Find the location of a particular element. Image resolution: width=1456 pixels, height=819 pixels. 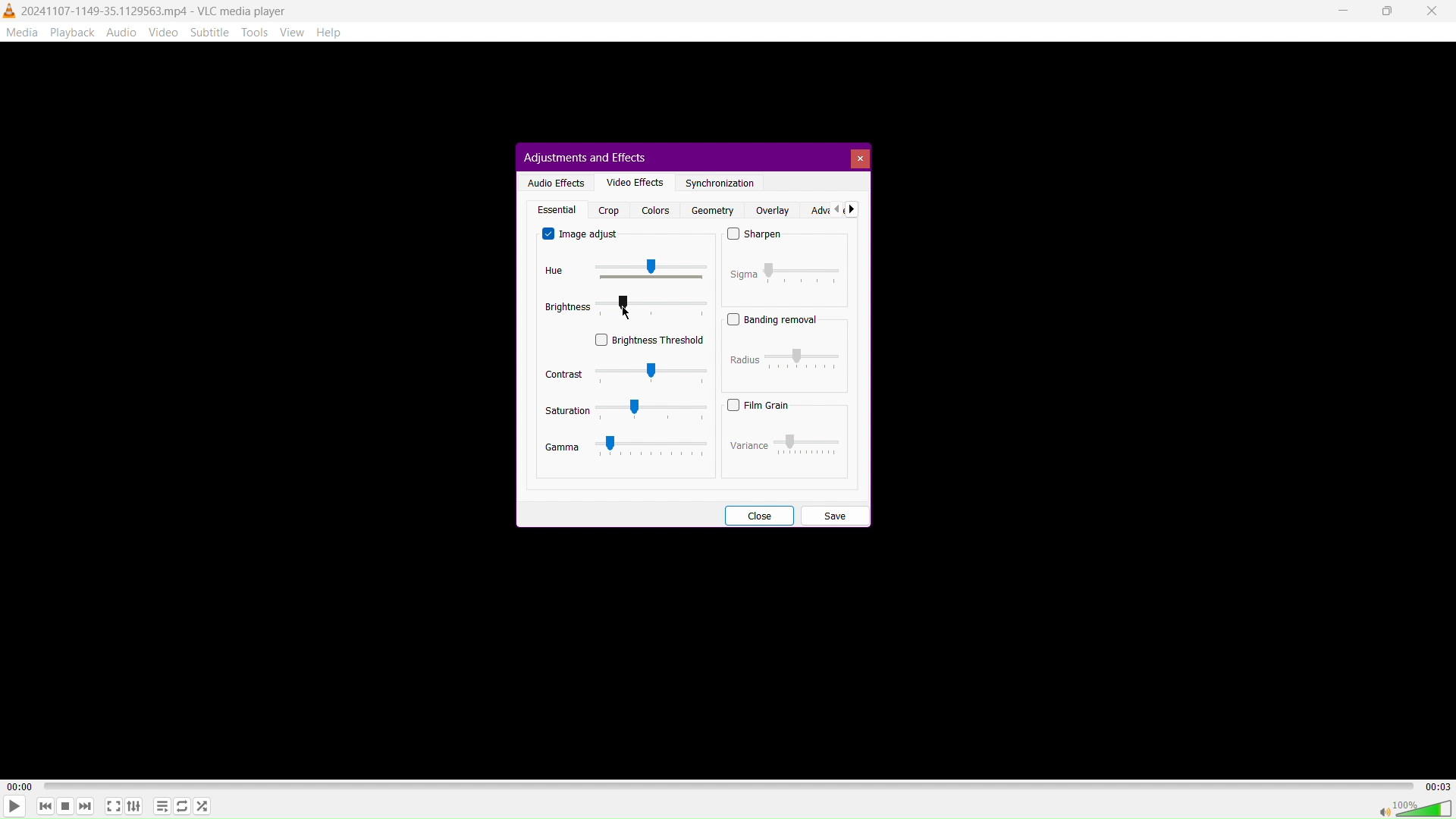

Close is located at coordinates (859, 158).